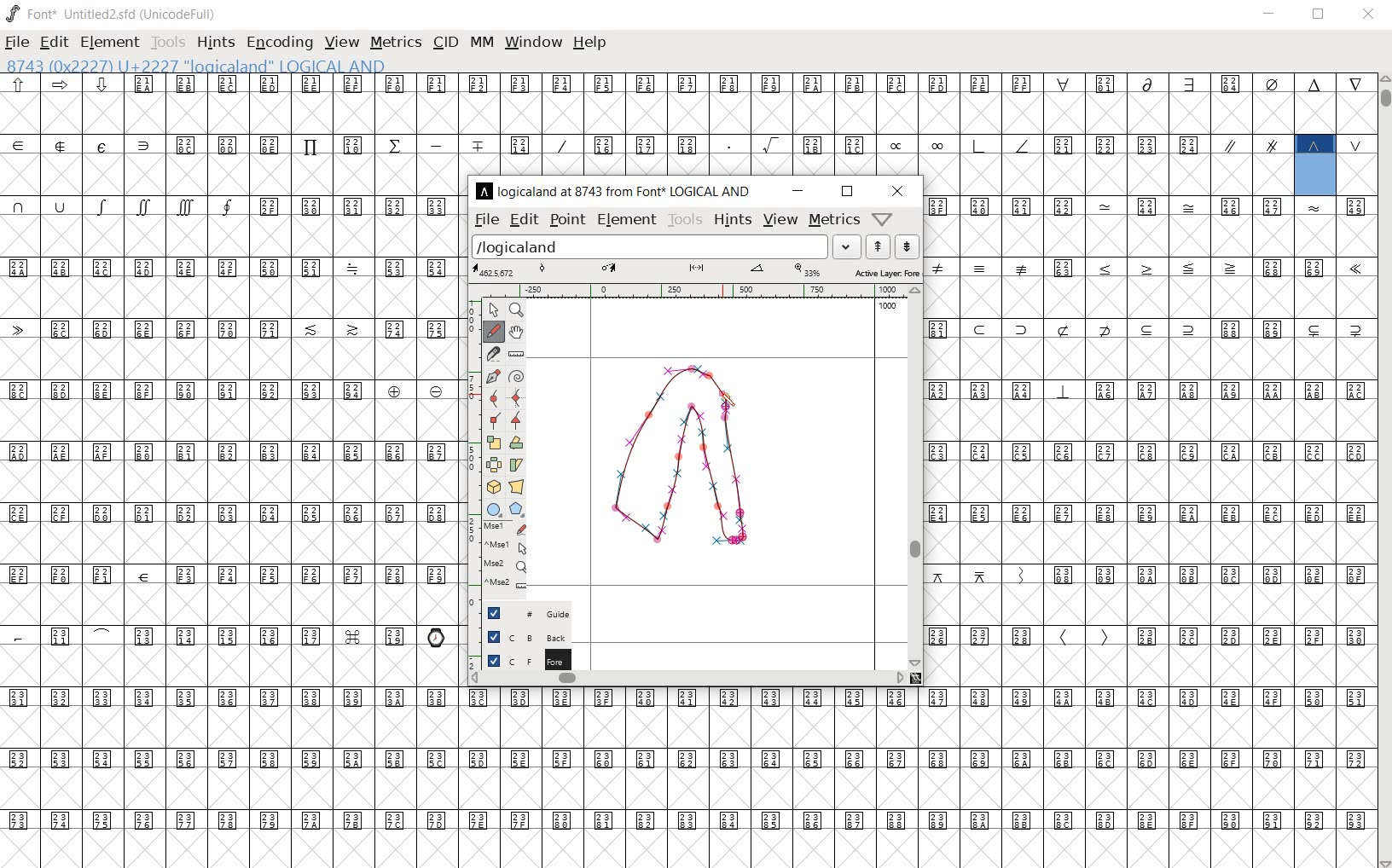 This screenshot has width=1392, height=868. I want to click on scrollbar, so click(917, 477).